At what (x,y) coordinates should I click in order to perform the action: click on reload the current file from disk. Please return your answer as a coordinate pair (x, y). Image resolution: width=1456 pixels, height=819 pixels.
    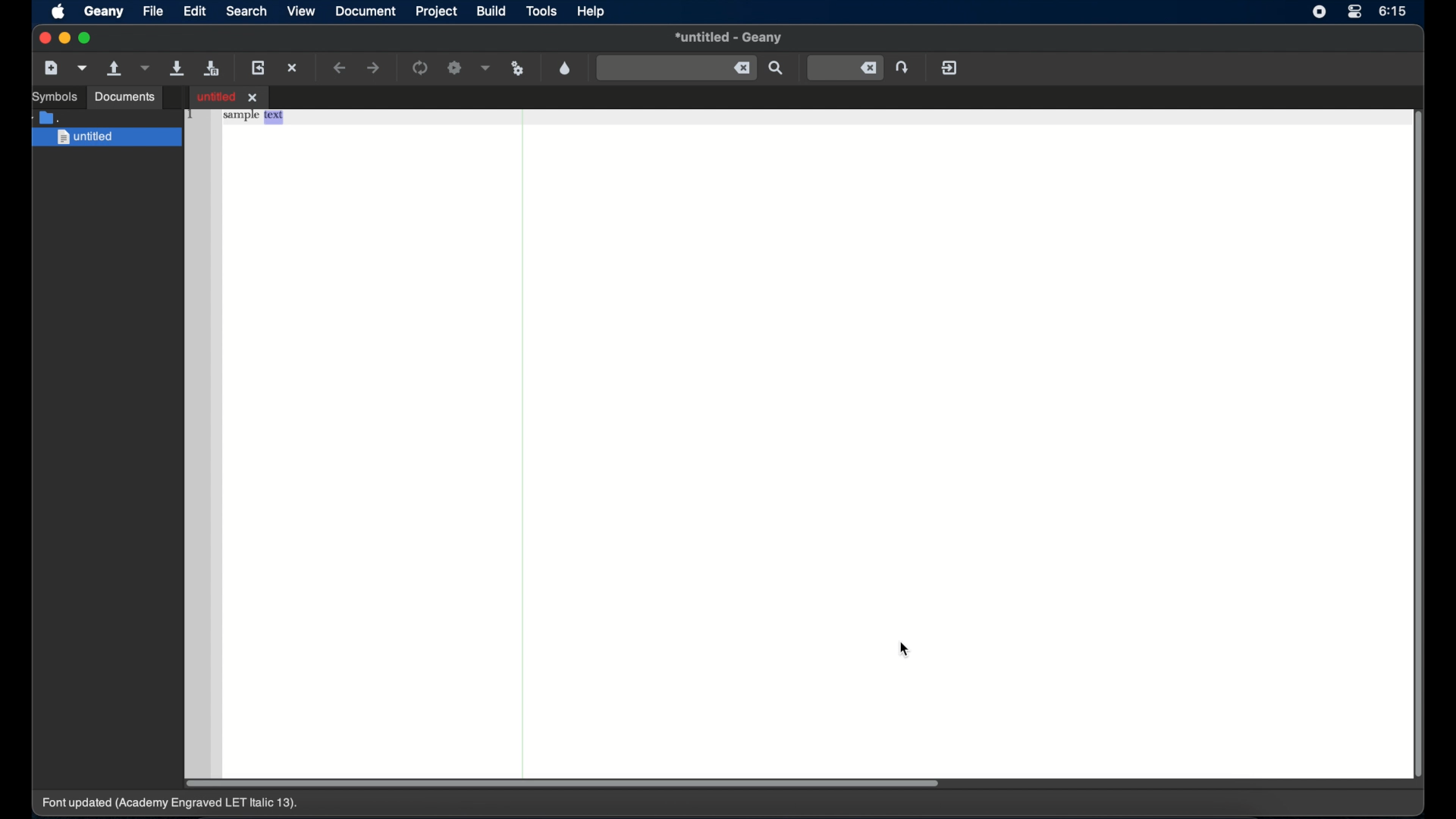
    Looking at the image, I should click on (260, 67).